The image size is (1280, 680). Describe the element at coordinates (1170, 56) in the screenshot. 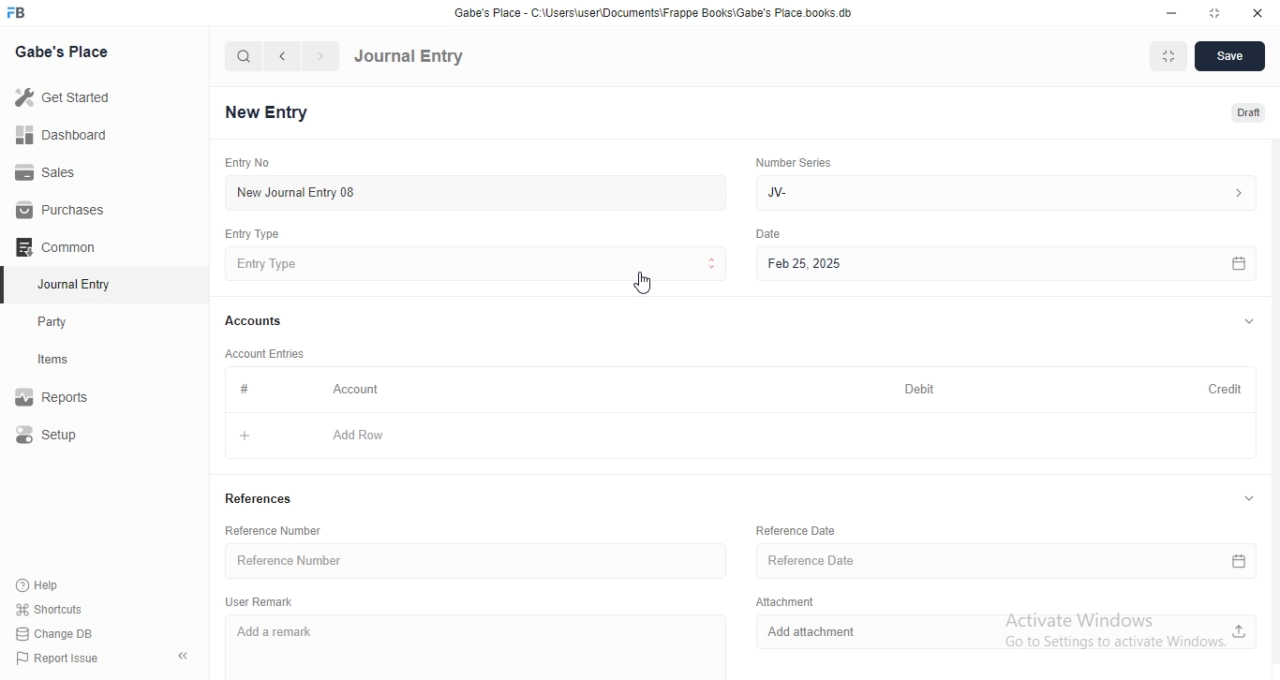

I see `Fit to Window` at that location.